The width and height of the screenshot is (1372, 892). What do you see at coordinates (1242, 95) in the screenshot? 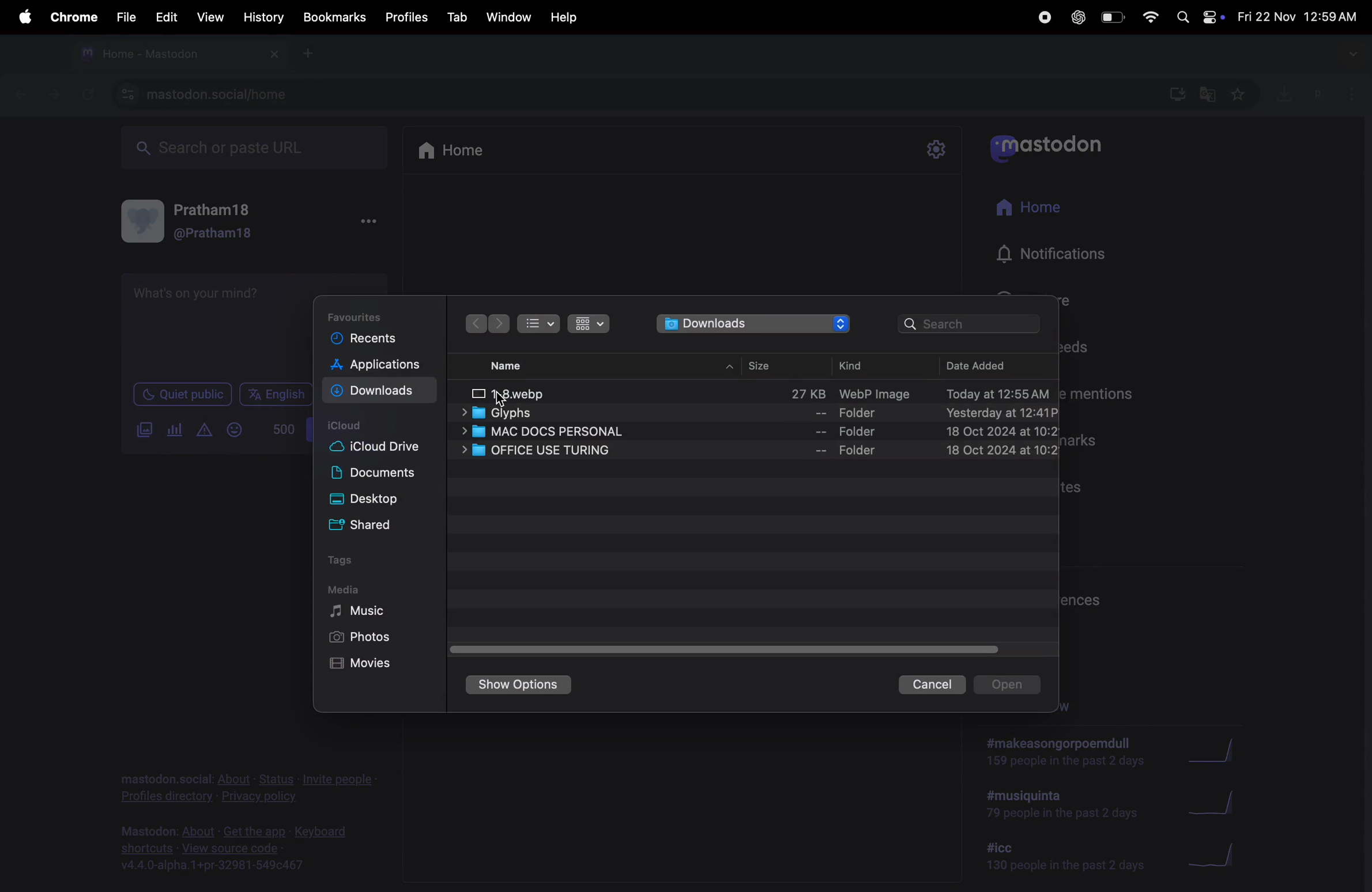
I see `favourite` at bounding box center [1242, 95].